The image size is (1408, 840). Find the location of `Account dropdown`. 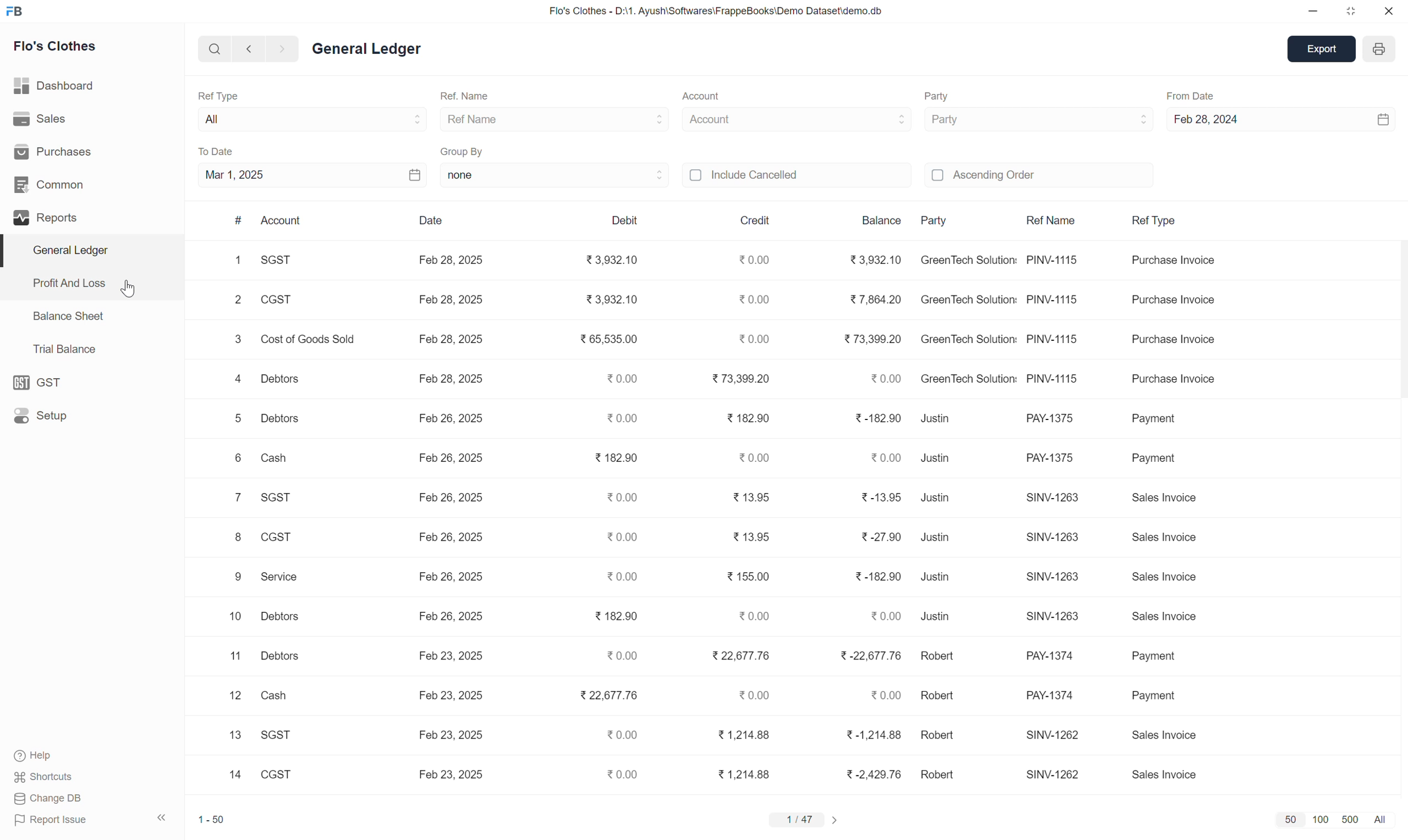

Account dropdown is located at coordinates (872, 122).